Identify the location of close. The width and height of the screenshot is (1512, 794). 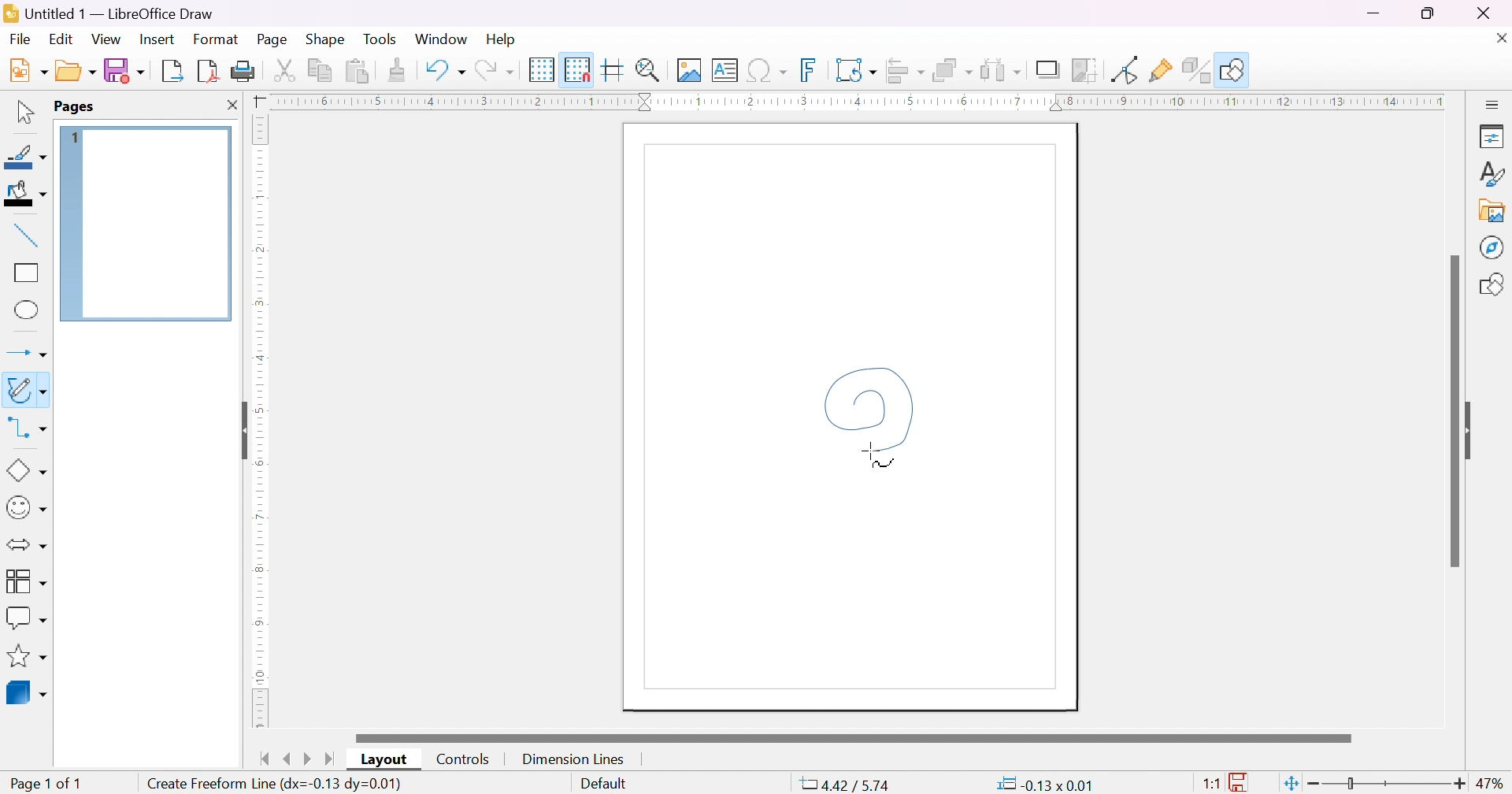
(232, 104).